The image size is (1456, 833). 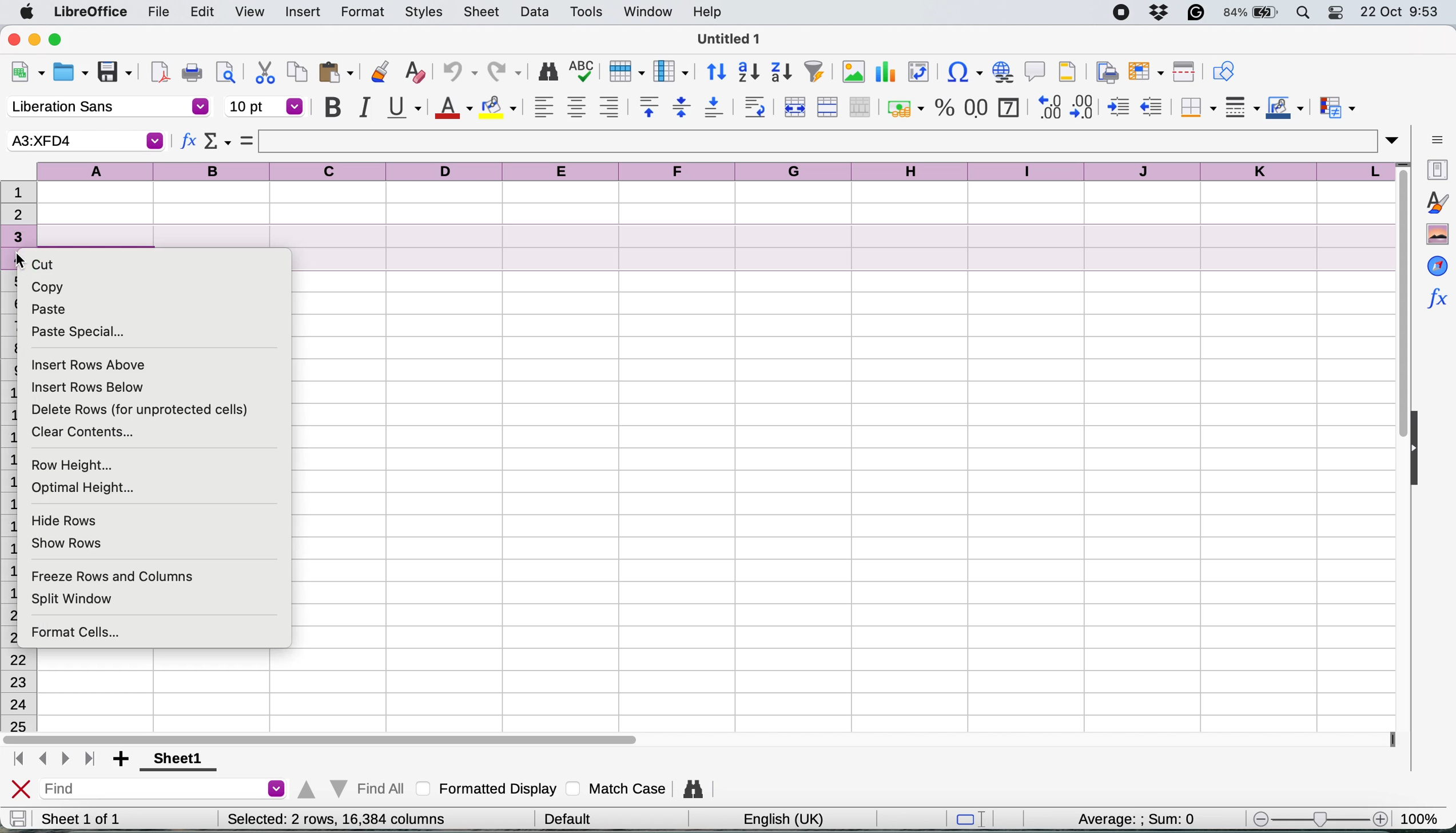 I want to click on copy, so click(x=51, y=287).